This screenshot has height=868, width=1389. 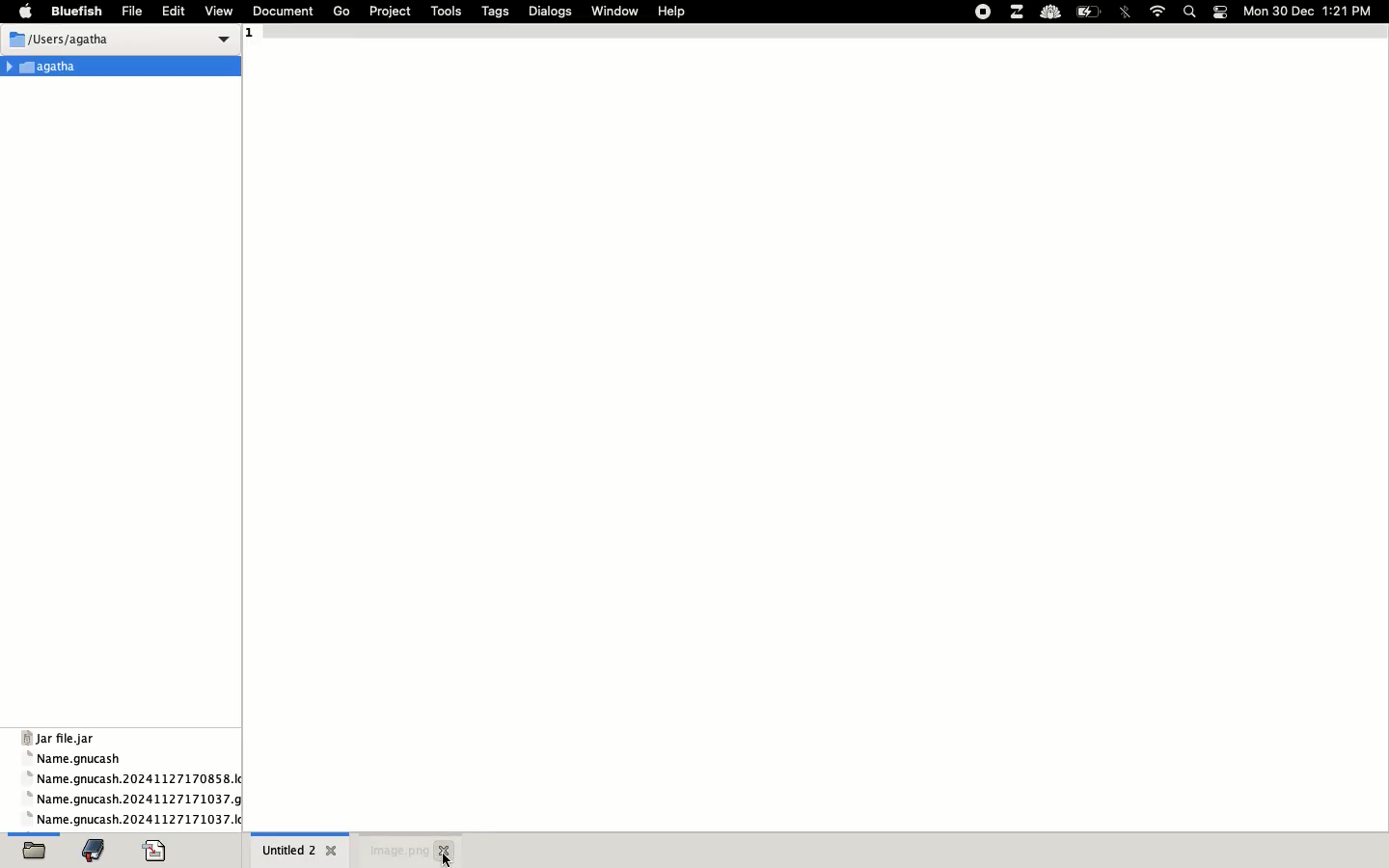 I want to click on tools, so click(x=449, y=11).